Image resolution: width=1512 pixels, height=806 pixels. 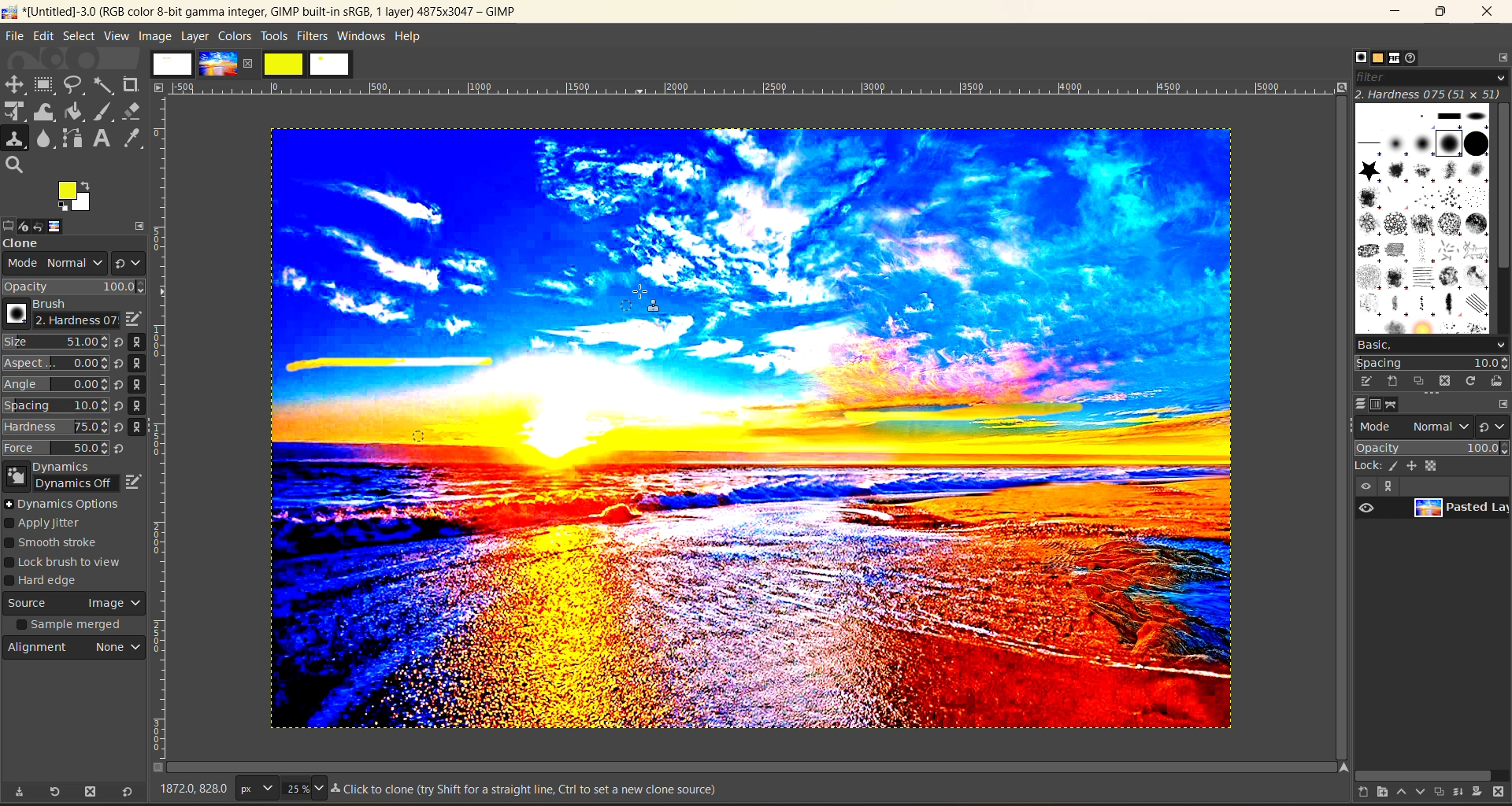 I want to click on Spacing 10.02, so click(x=57, y=405).